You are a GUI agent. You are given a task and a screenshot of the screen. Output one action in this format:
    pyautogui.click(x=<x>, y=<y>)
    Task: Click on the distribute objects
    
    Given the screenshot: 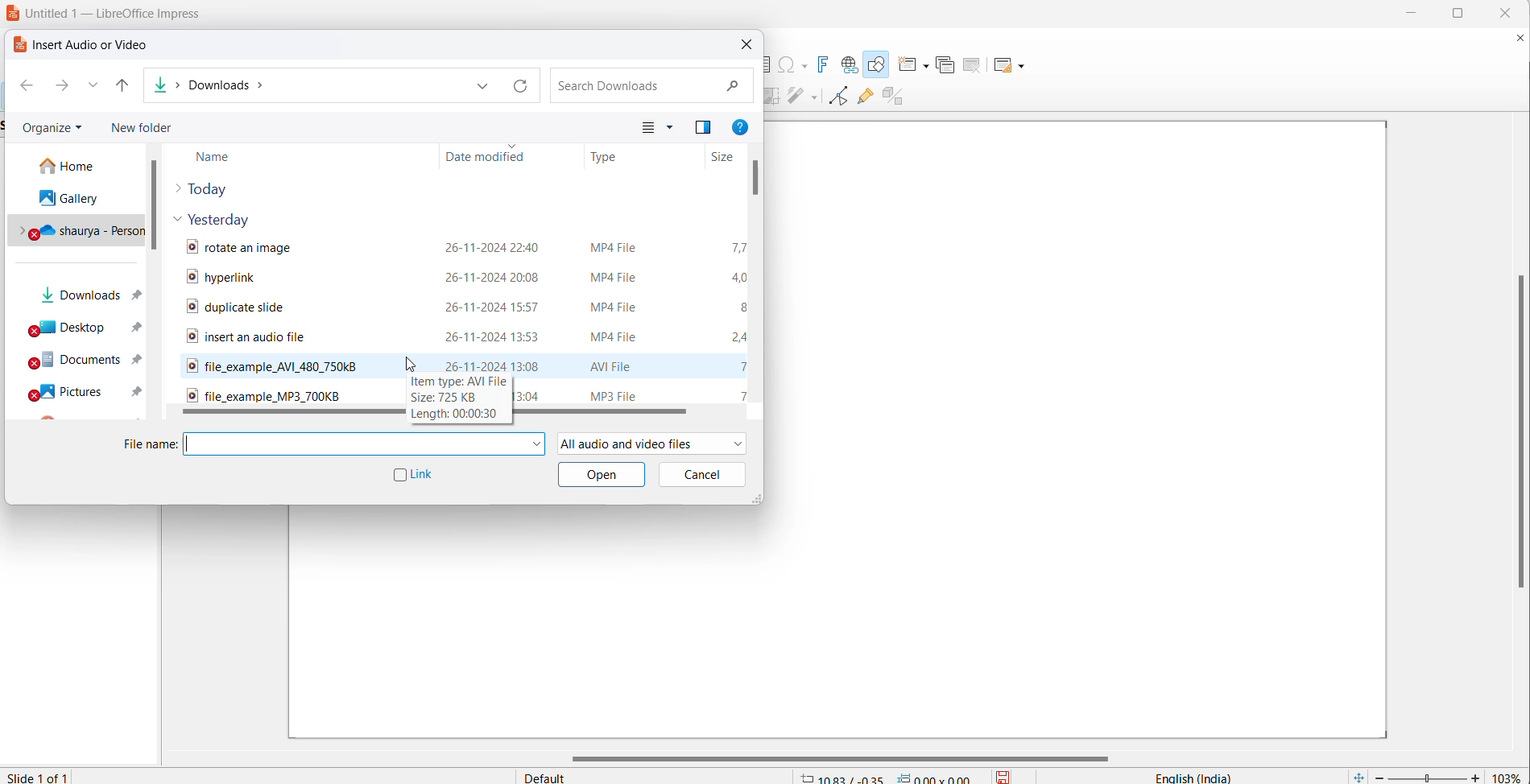 What is the action you would take?
    pyautogui.click(x=799, y=95)
    